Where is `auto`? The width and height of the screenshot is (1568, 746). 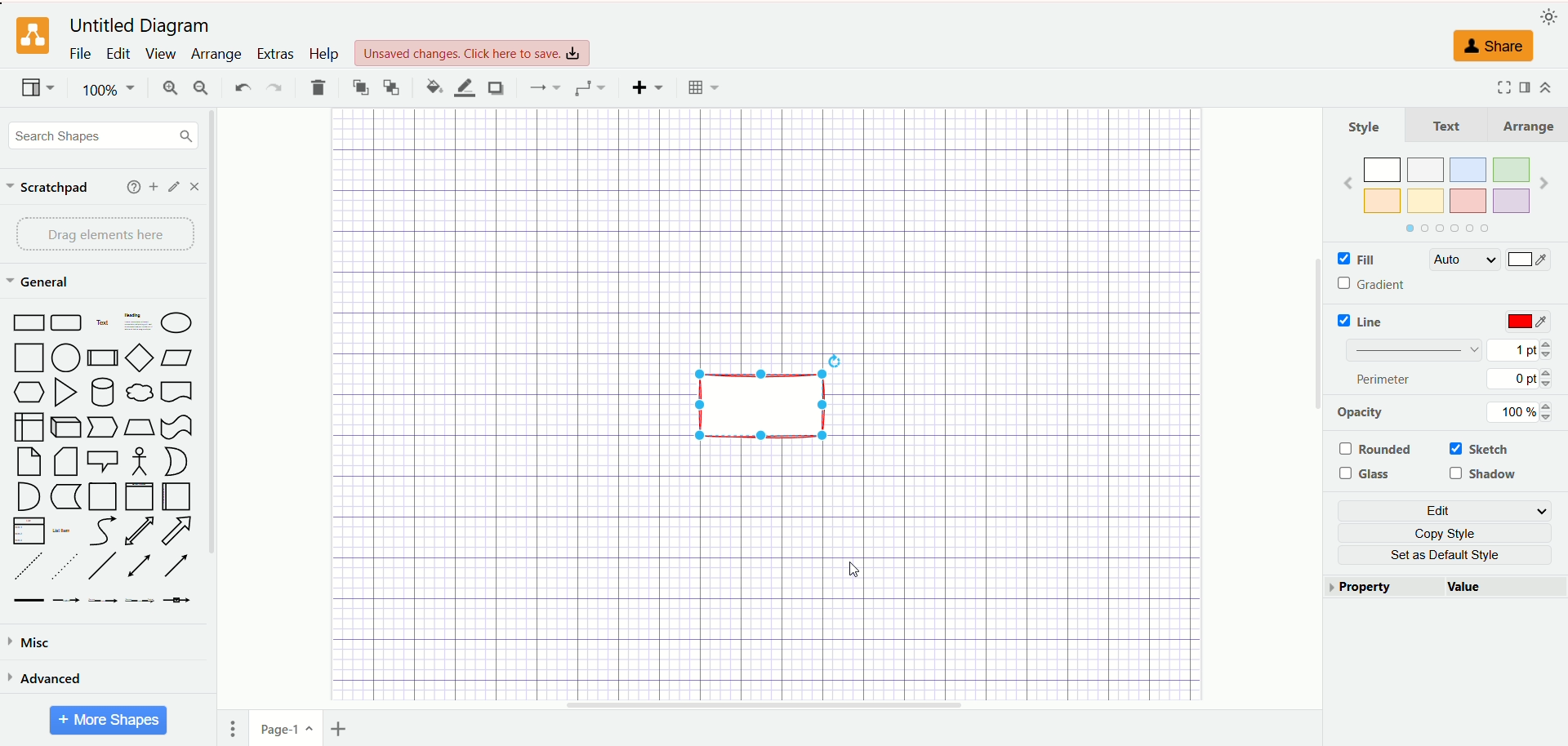 auto is located at coordinates (1459, 258).